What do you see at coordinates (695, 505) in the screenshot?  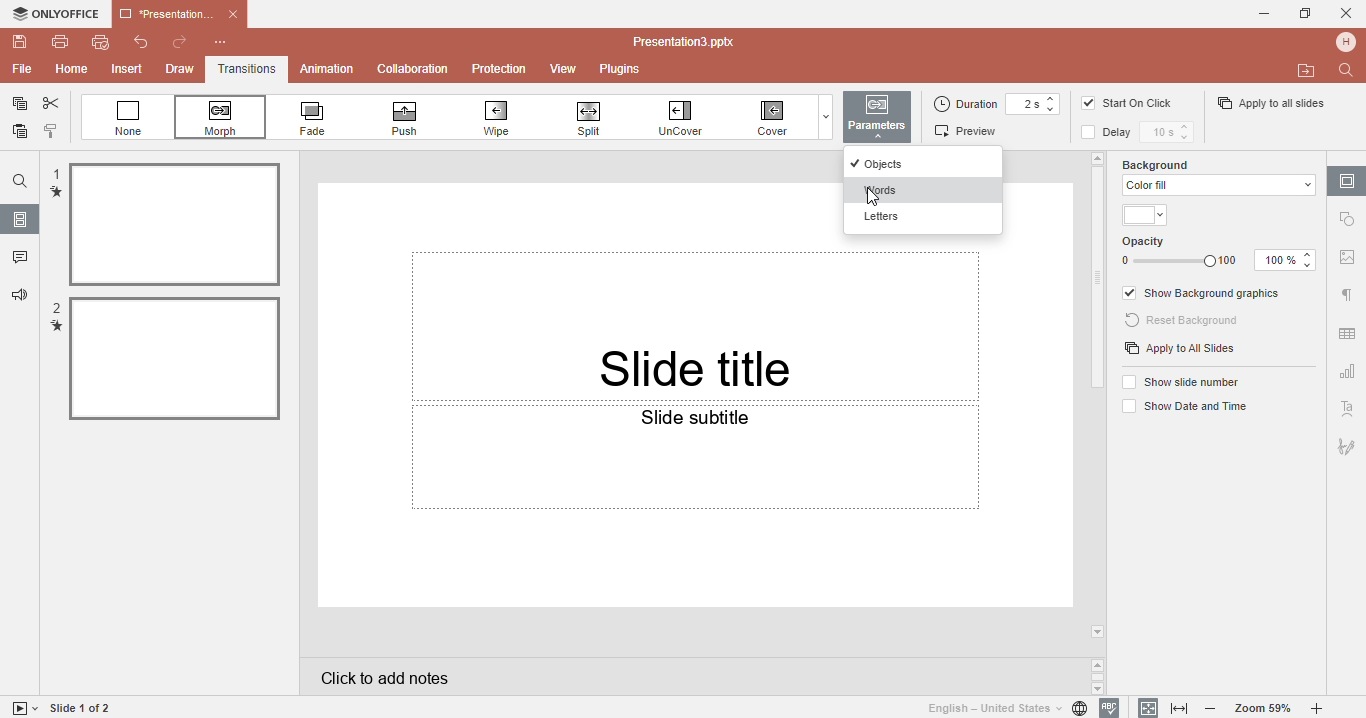 I see `Slide subtittle` at bounding box center [695, 505].